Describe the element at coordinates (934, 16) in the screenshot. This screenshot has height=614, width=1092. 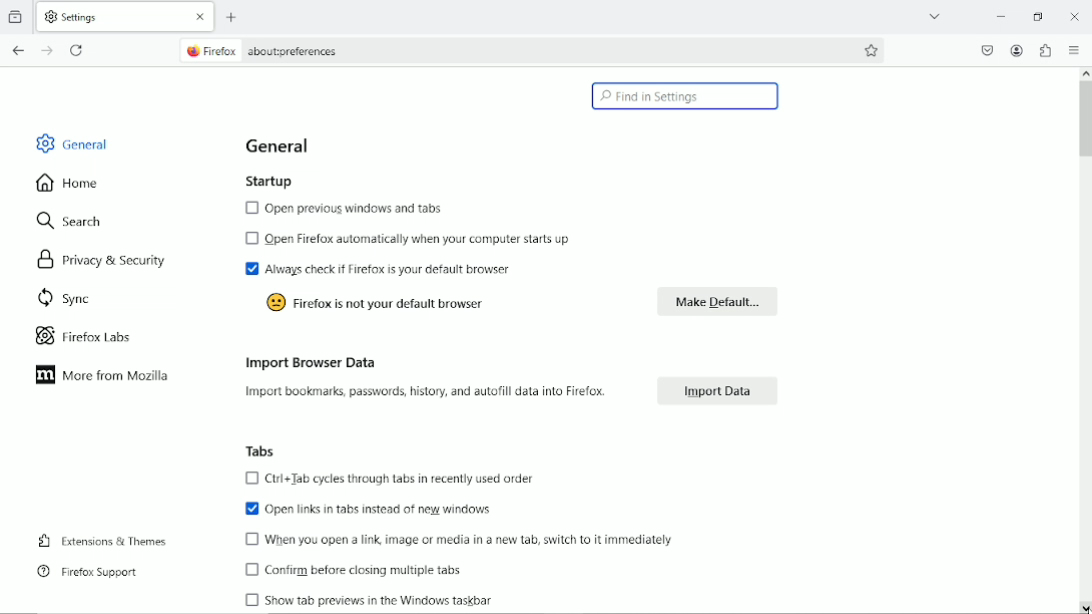
I see `list all tabs` at that location.